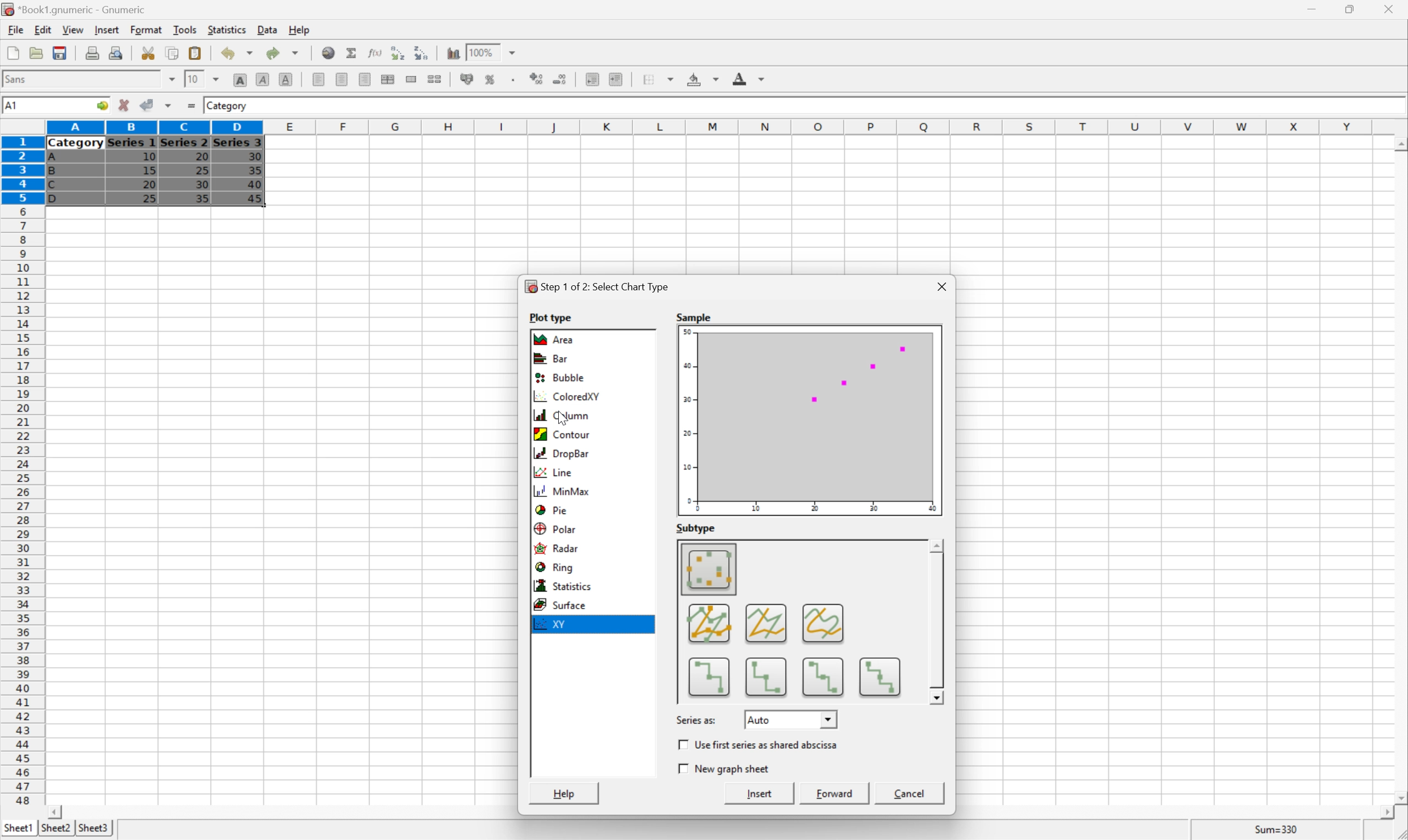  Describe the element at coordinates (460, 63) in the screenshot. I see `Cursor` at that location.